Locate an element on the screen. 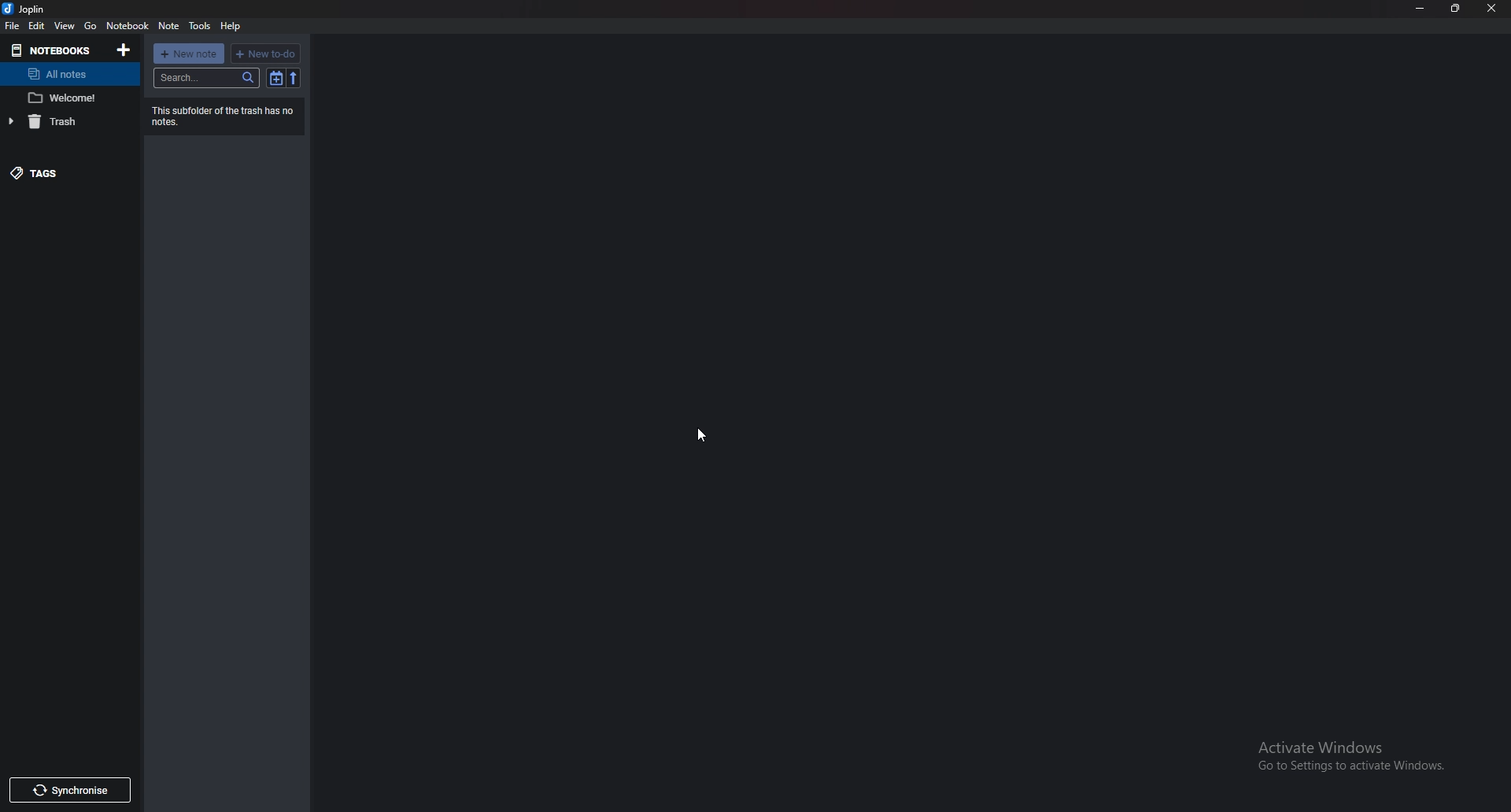 Image resolution: width=1511 pixels, height=812 pixels. edit is located at coordinates (36, 27).